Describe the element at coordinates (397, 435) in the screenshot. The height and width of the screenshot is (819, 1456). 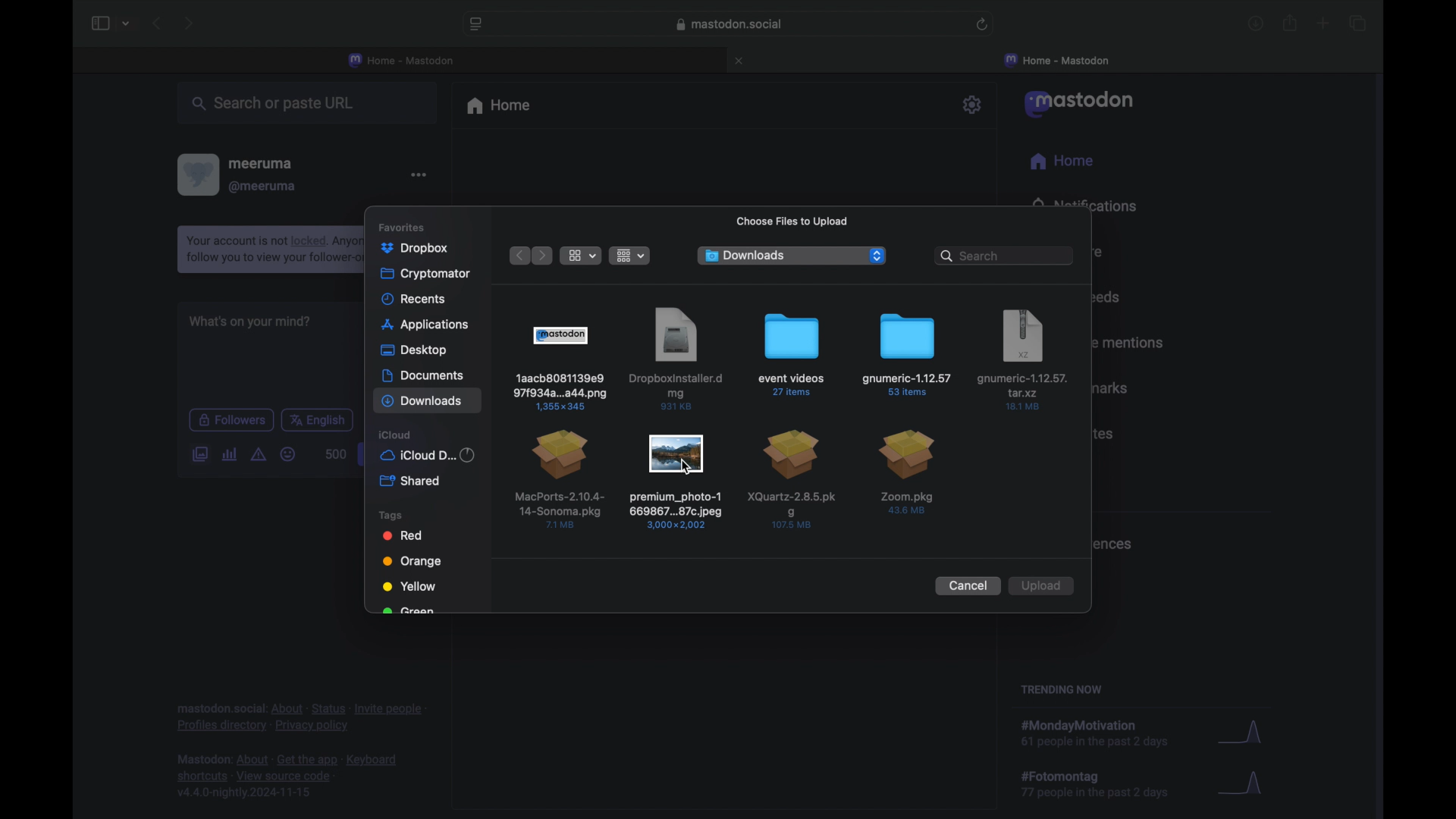
I see `icloud` at that location.